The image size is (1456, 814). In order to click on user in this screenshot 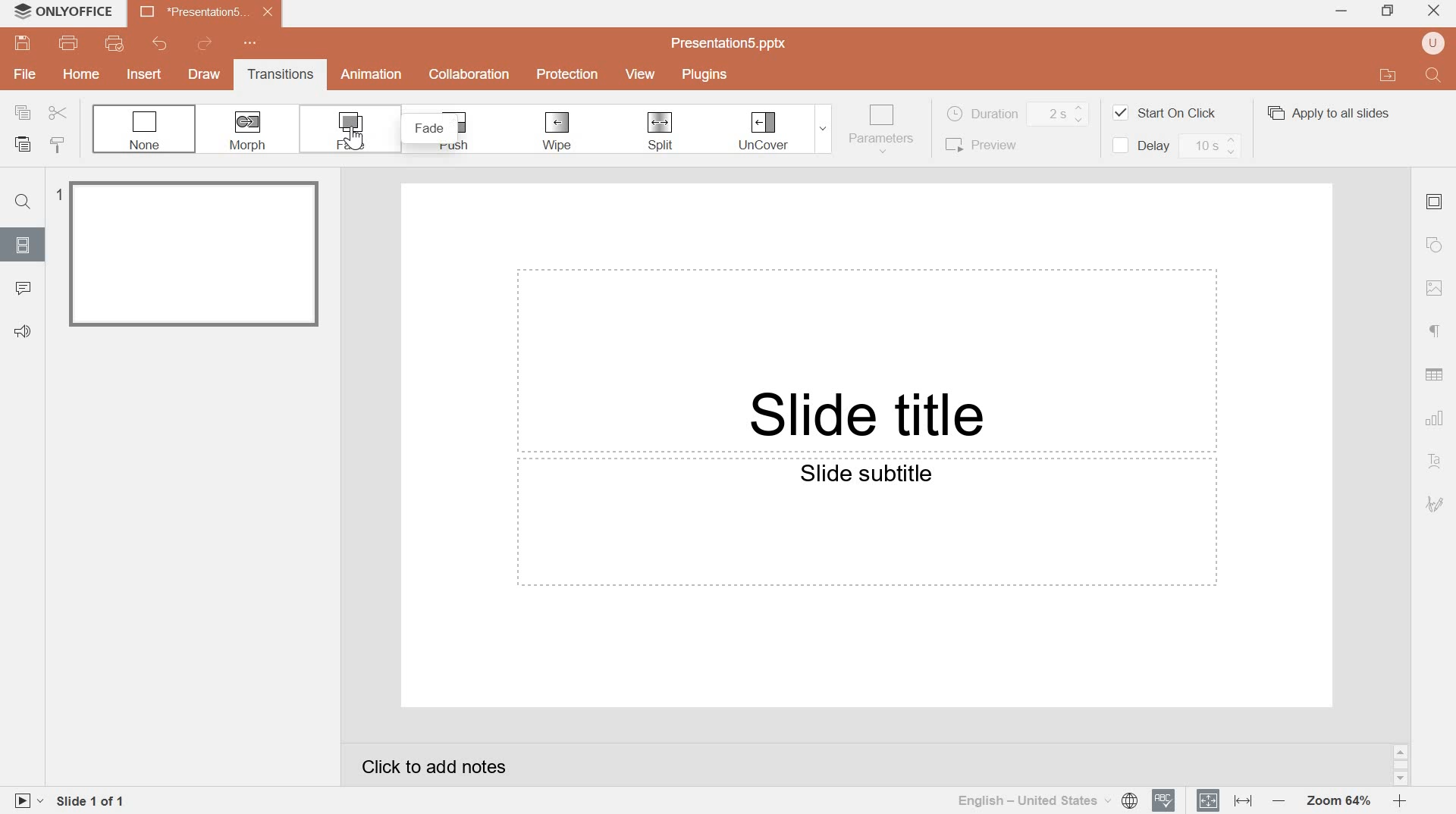, I will do `click(1432, 43)`.